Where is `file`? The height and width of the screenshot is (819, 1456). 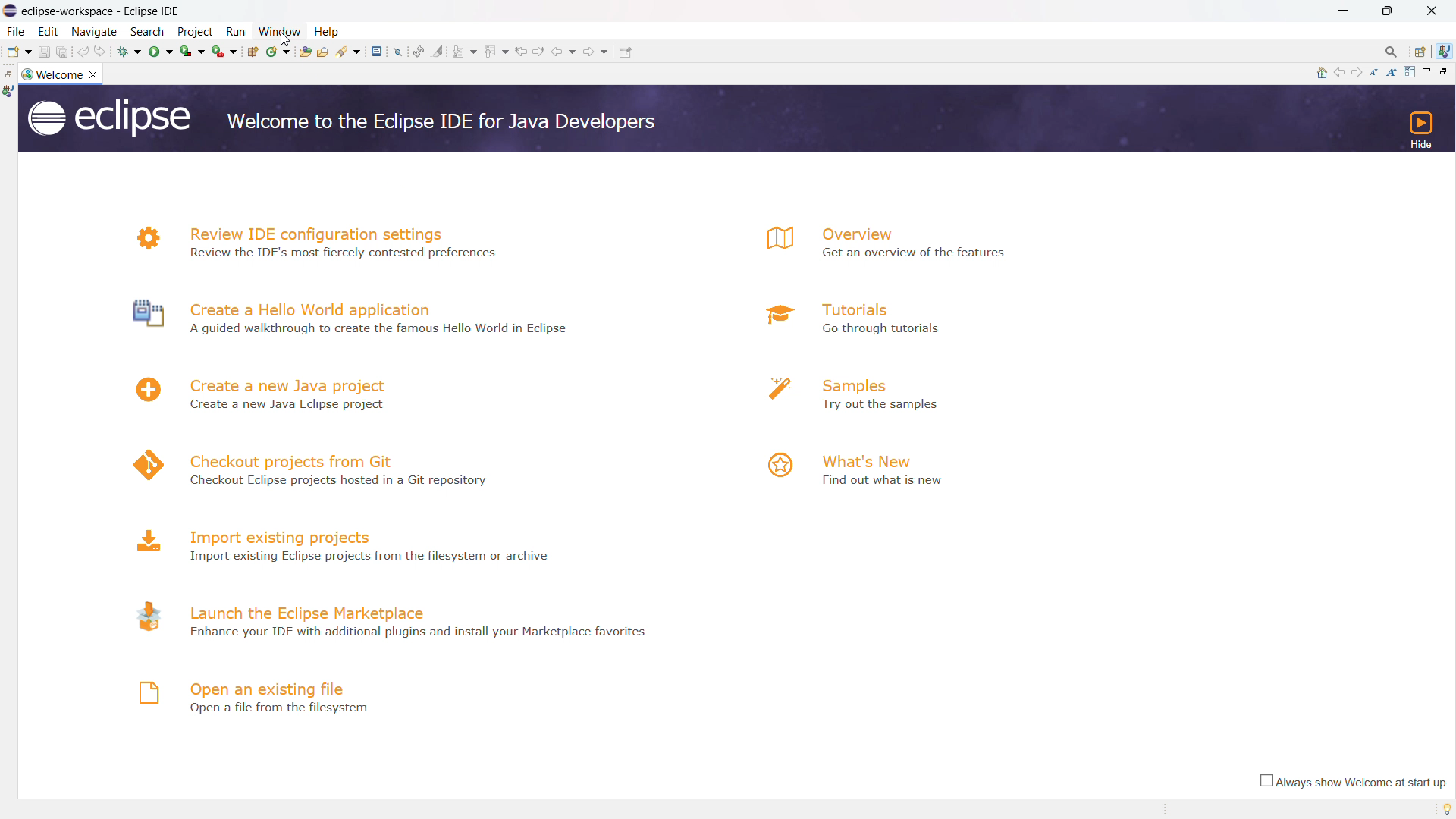
file is located at coordinates (16, 31).